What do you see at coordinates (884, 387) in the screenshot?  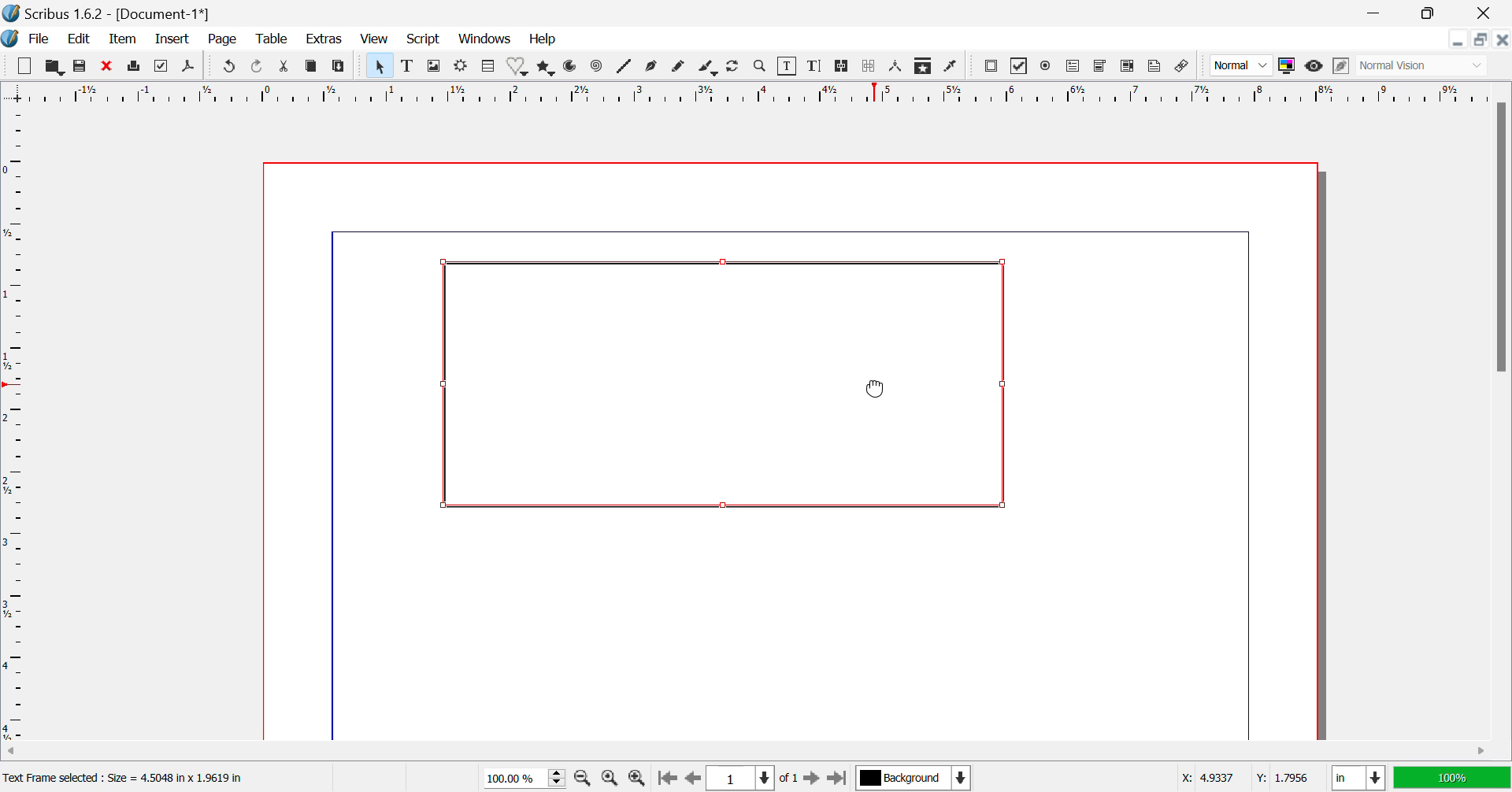 I see `Cursor` at bounding box center [884, 387].